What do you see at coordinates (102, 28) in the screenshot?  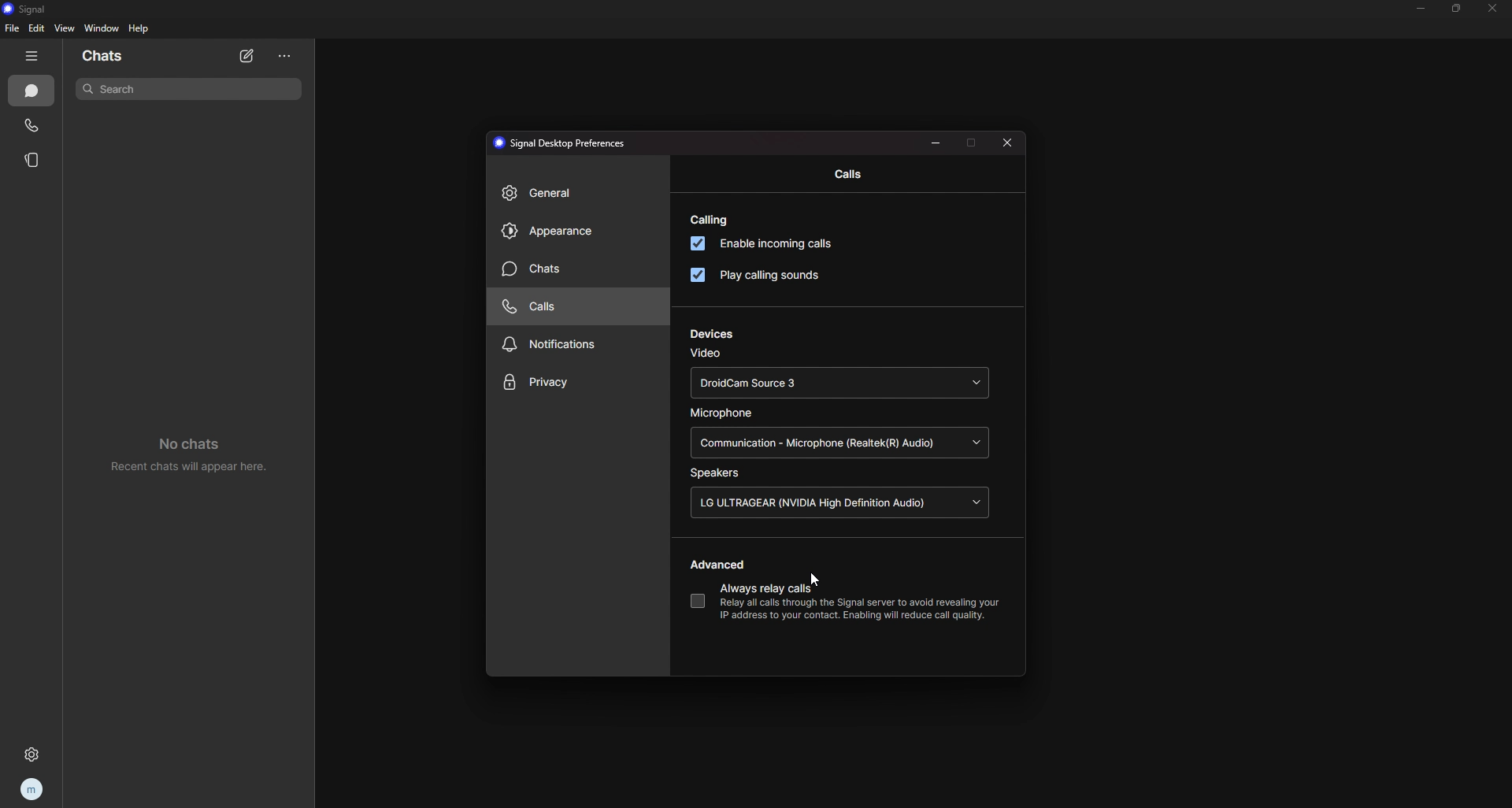 I see `window` at bounding box center [102, 28].